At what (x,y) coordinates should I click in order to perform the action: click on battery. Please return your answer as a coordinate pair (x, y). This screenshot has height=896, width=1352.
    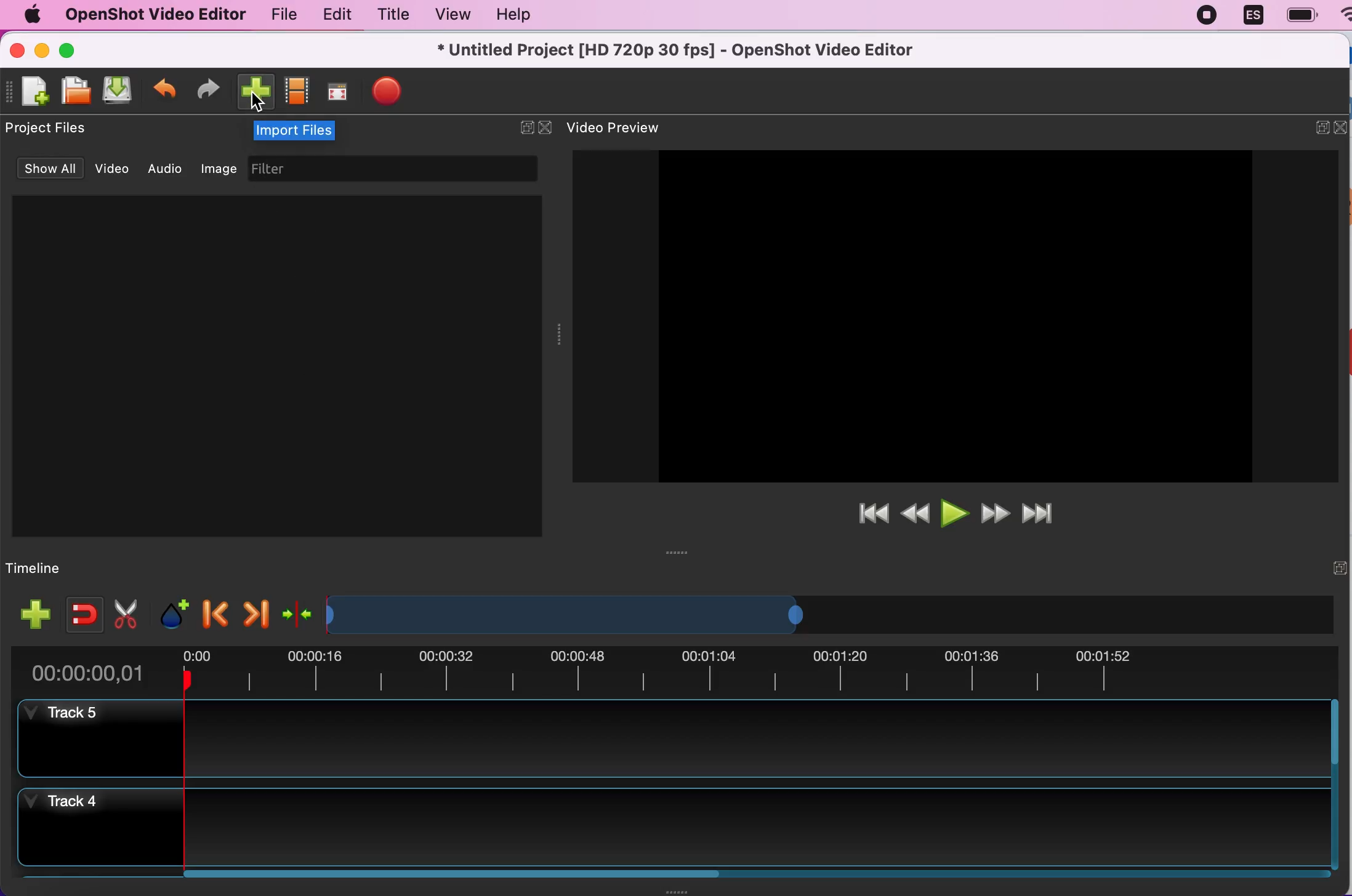
    Looking at the image, I should click on (1300, 16).